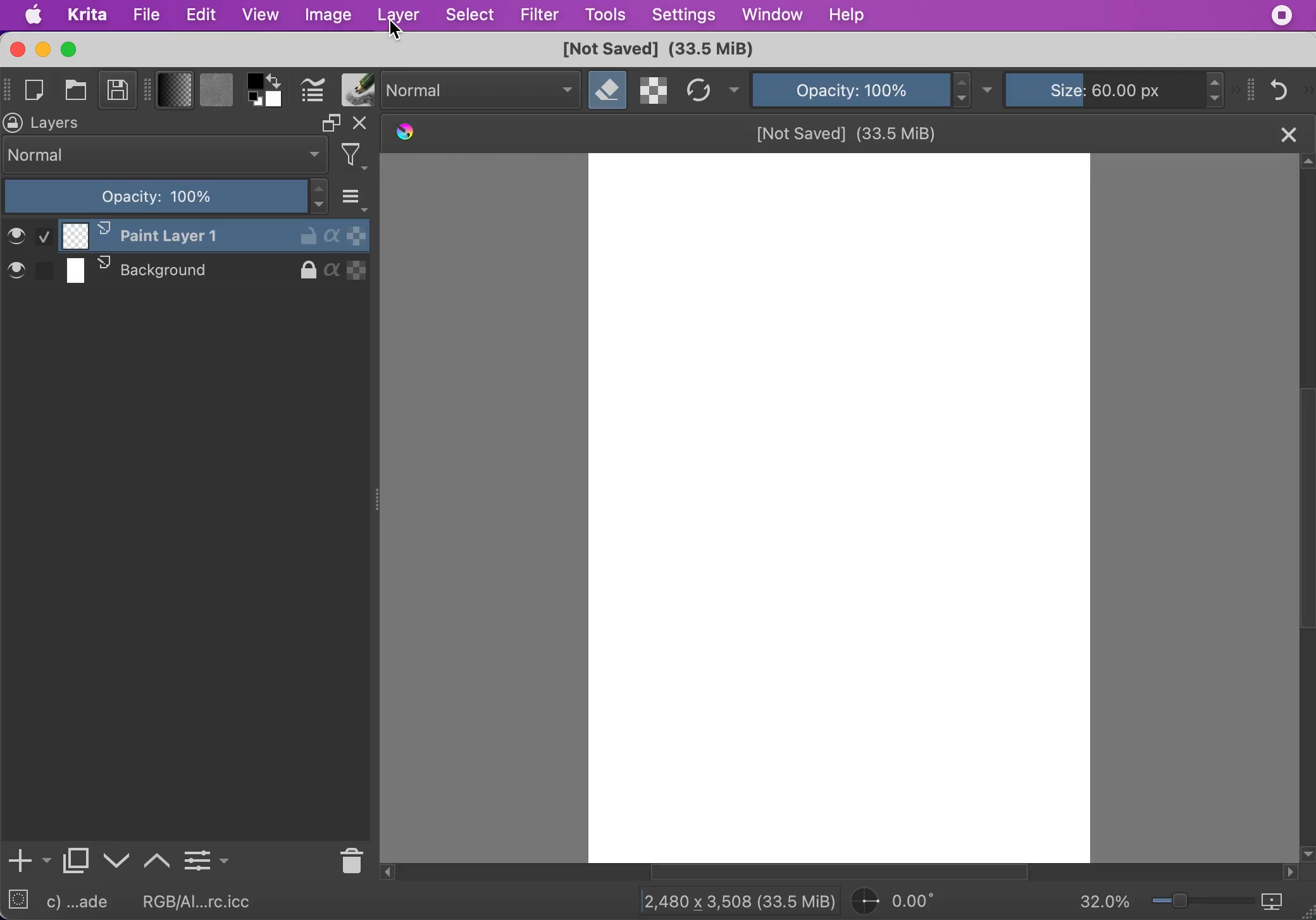 The image size is (1316, 920). What do you see at coordinates (206, 858) in the screenshot?
I see `view or change the layer properties` at bounding box center [206, 858].